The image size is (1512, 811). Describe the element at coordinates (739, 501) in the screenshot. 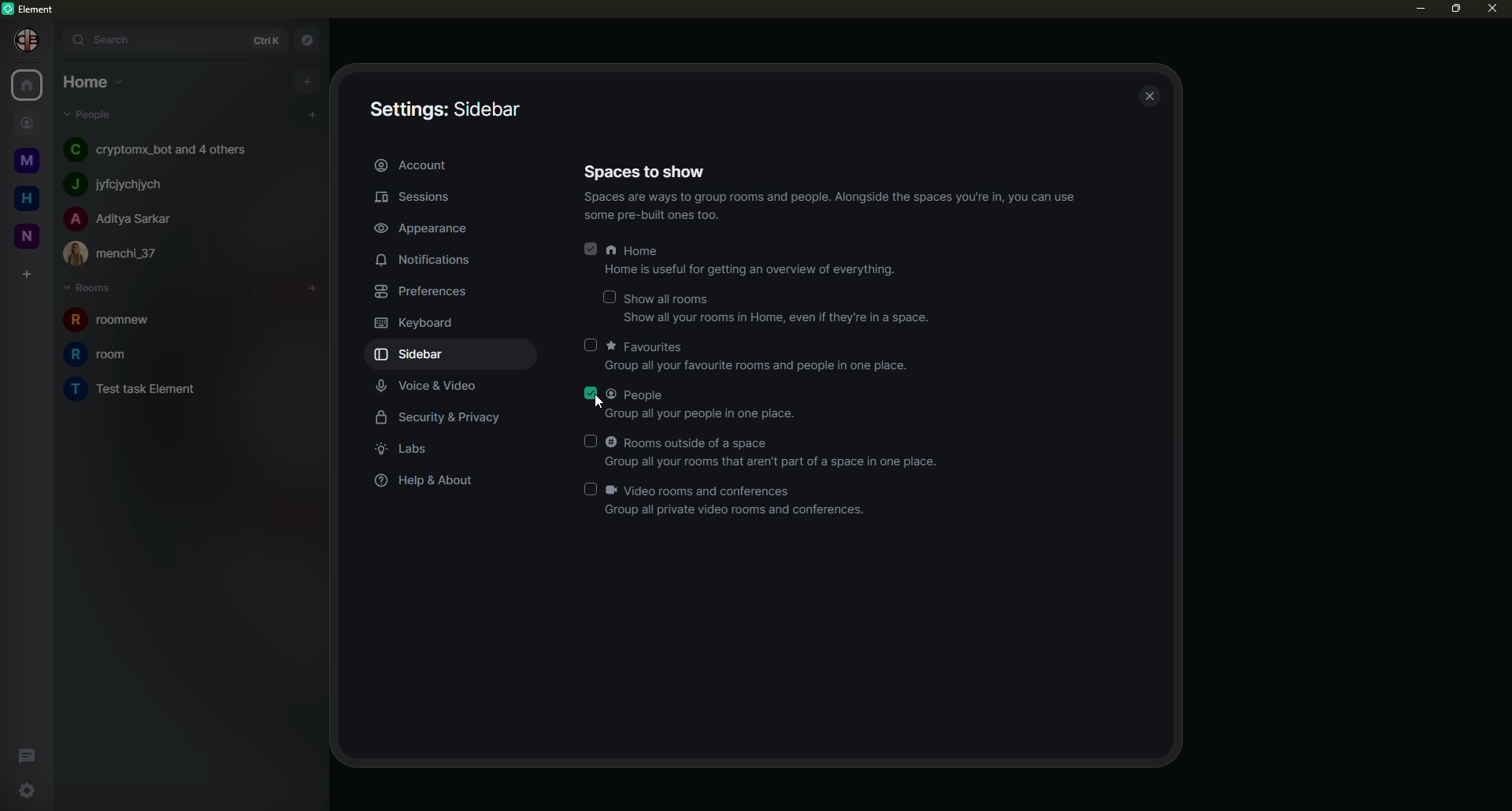

I see `video rooms and conferences` at that location.